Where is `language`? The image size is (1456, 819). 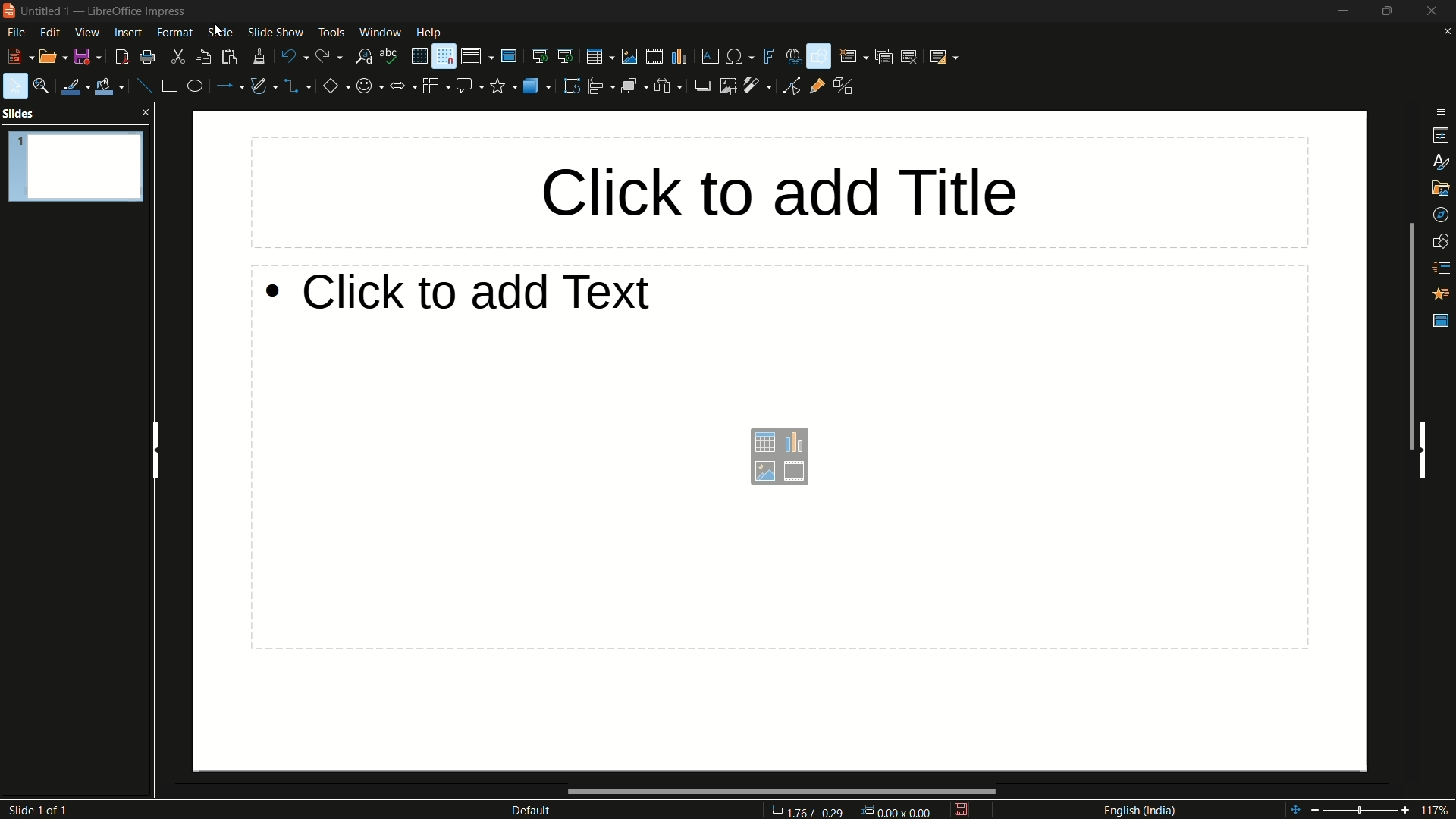 language is located at coordinates (1143, 810).